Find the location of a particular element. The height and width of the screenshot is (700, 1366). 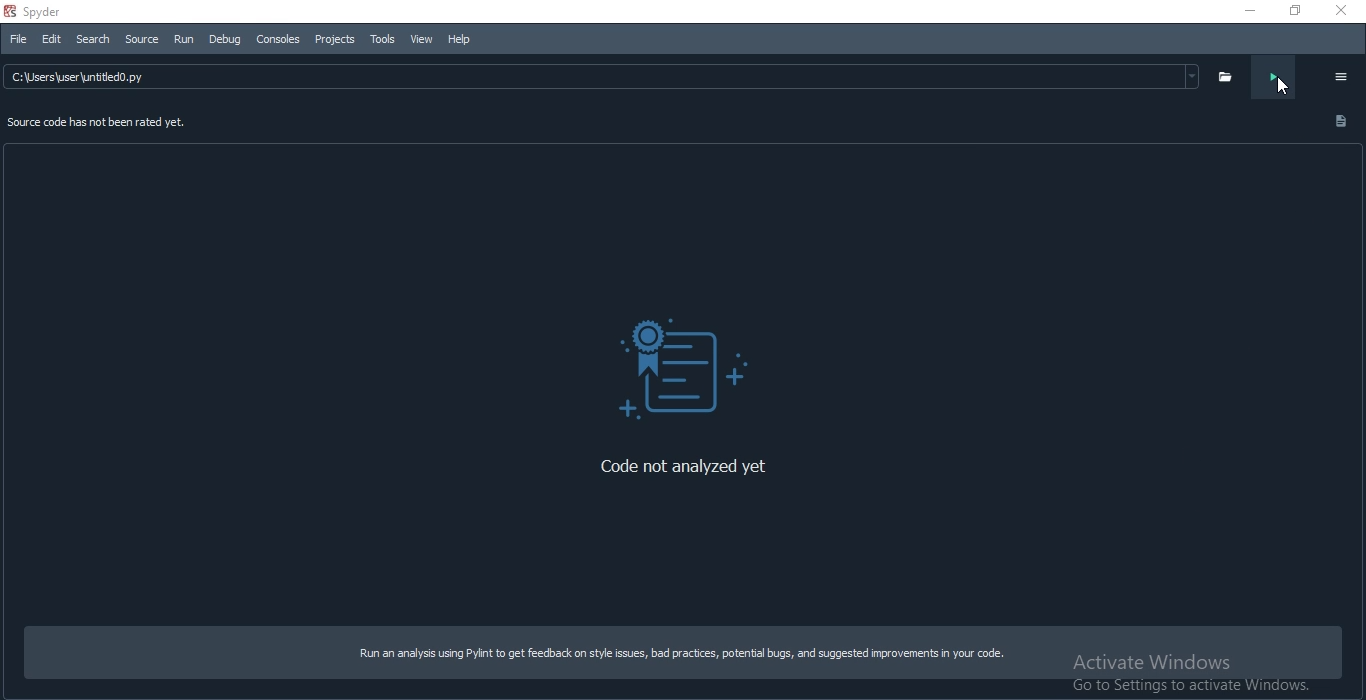

‘Code not analyzed yet is located at coordinates (687, 470).